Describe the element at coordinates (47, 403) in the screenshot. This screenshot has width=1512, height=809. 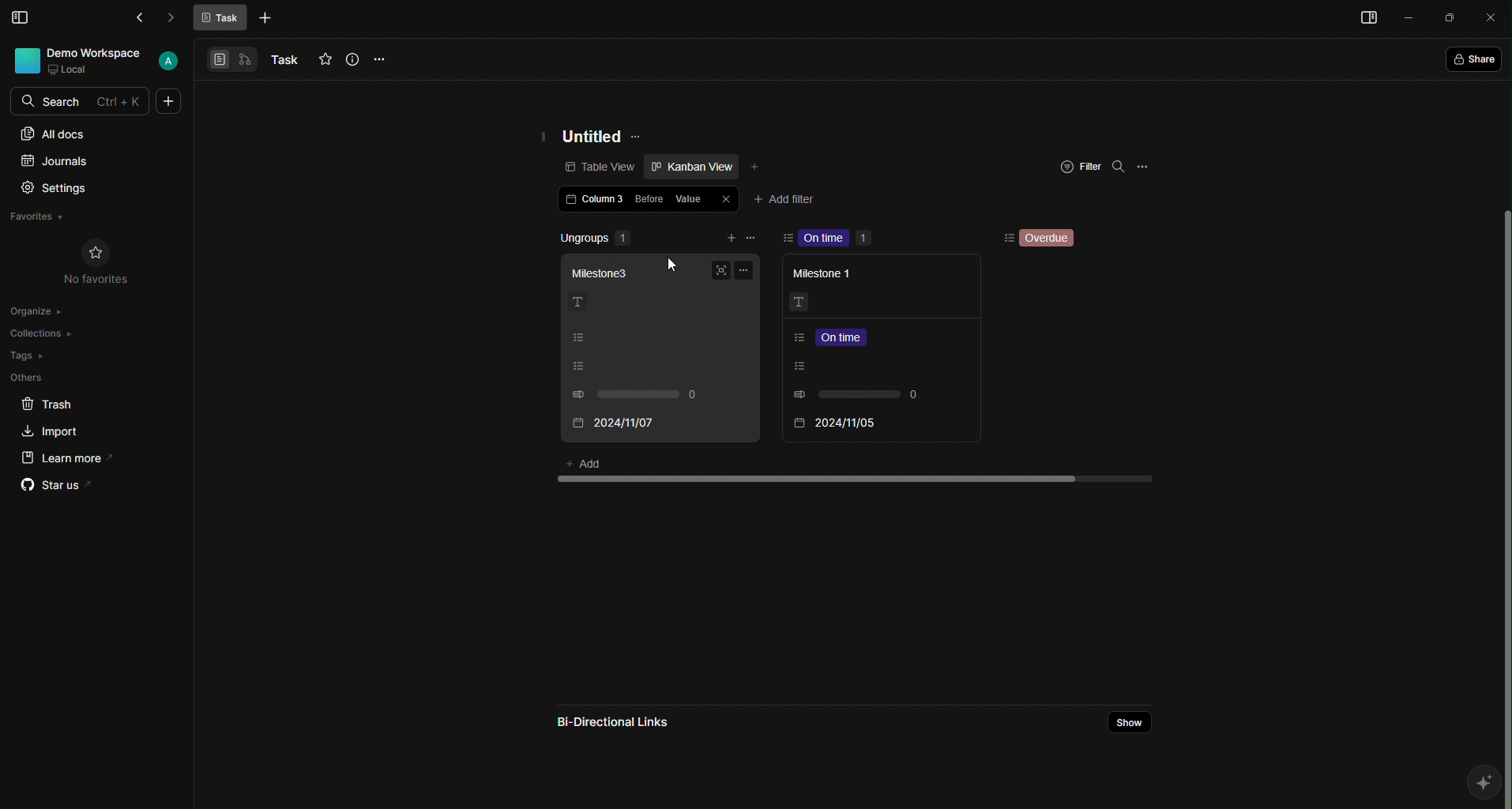
I see `Trash` at that location.